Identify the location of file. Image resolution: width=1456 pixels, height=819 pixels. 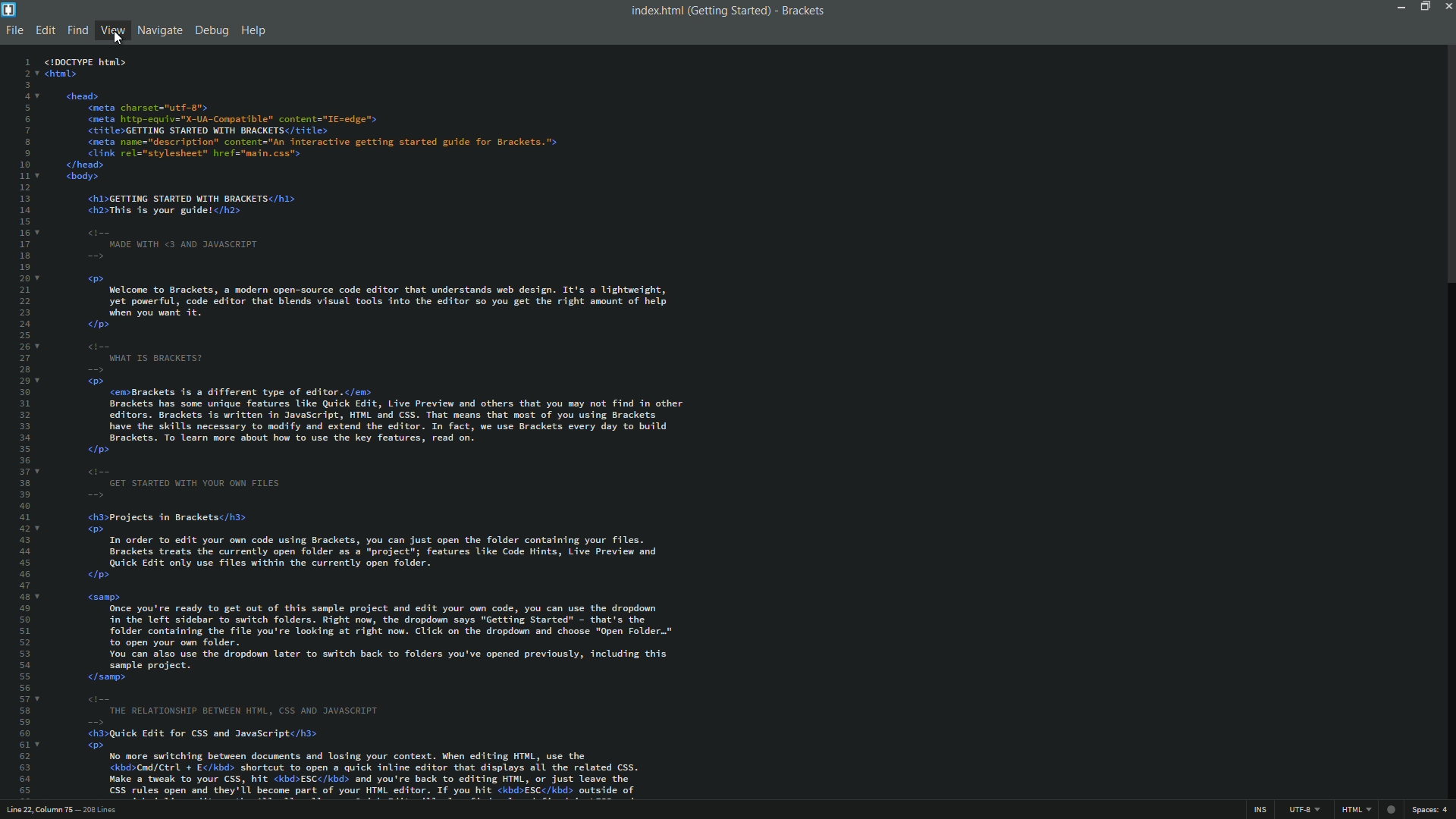
(15, 32).